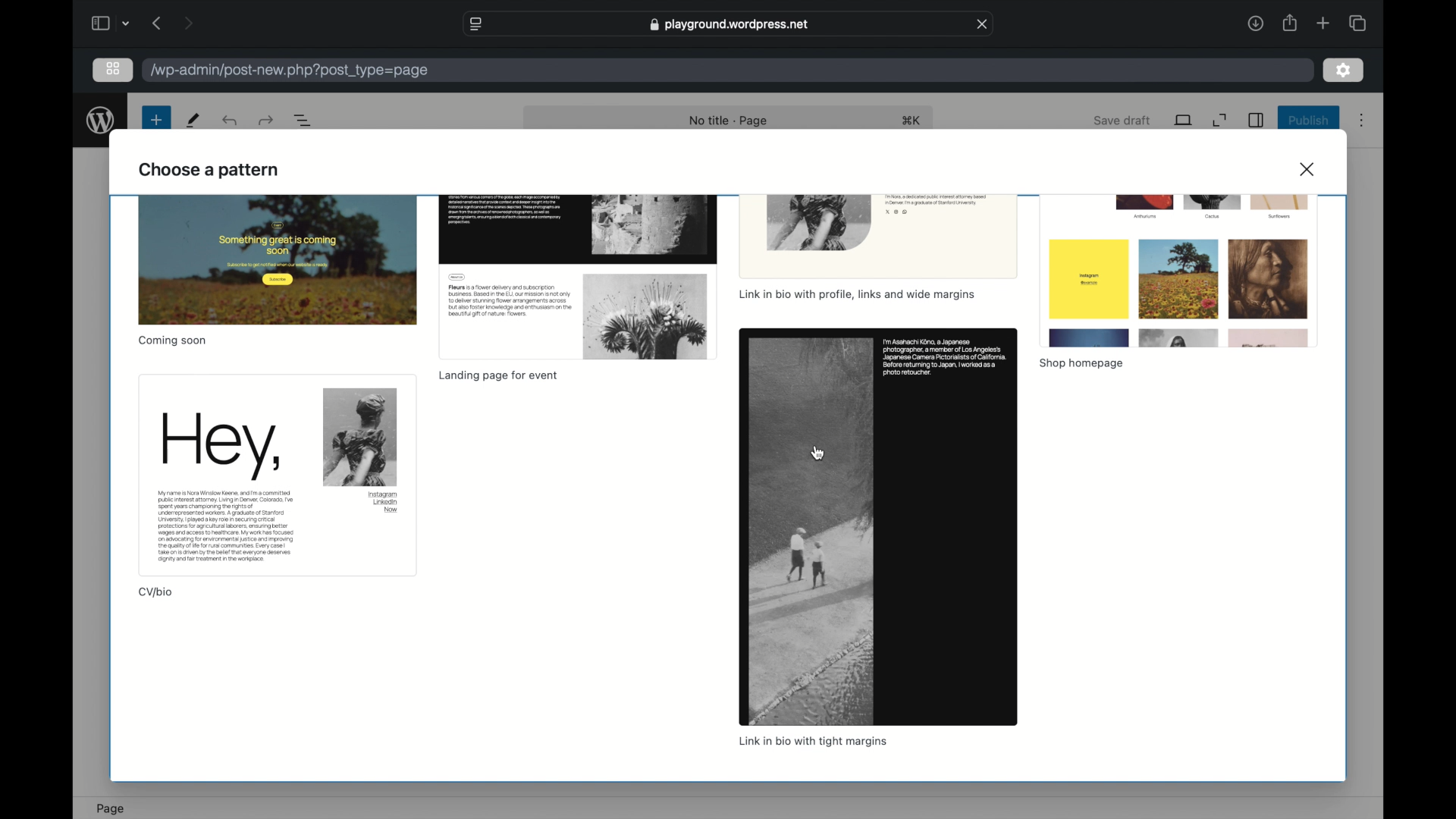 Image resolution: width=1456 pixels, height=819 pixels. I want to click on close, so click(983, 24).